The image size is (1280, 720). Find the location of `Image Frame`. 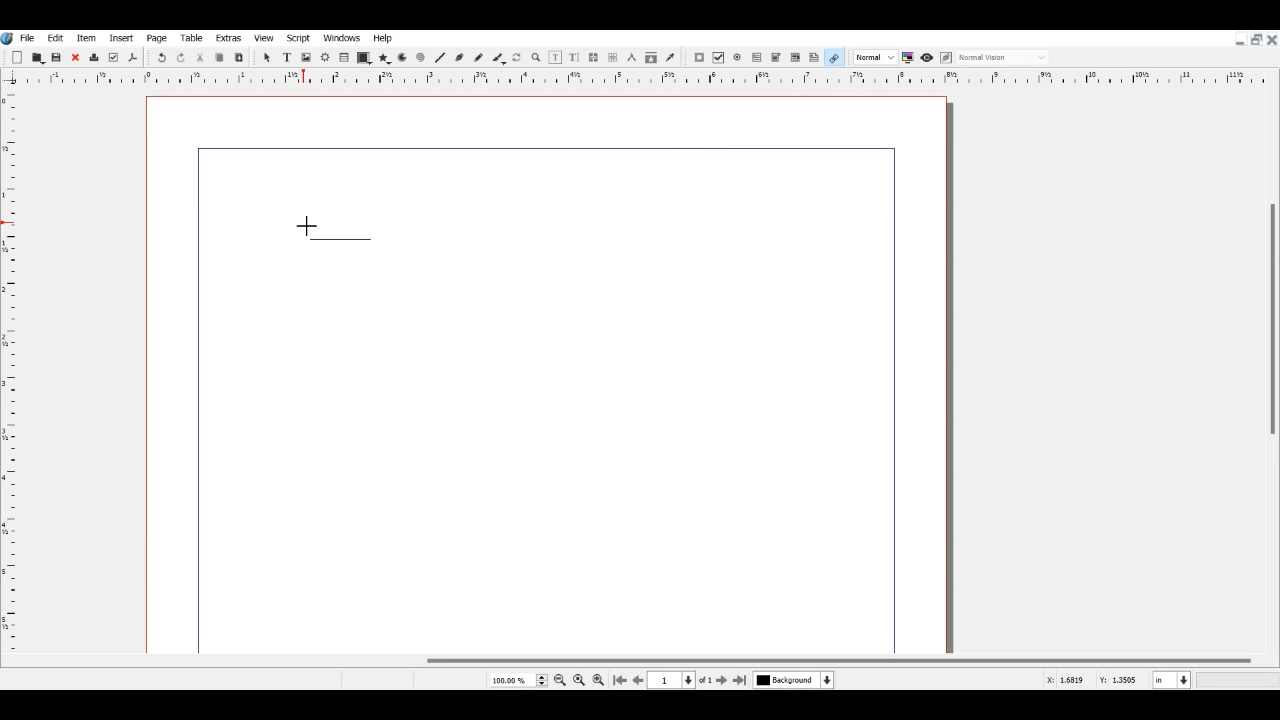

Image Frame is located at coordinates (306, 57).